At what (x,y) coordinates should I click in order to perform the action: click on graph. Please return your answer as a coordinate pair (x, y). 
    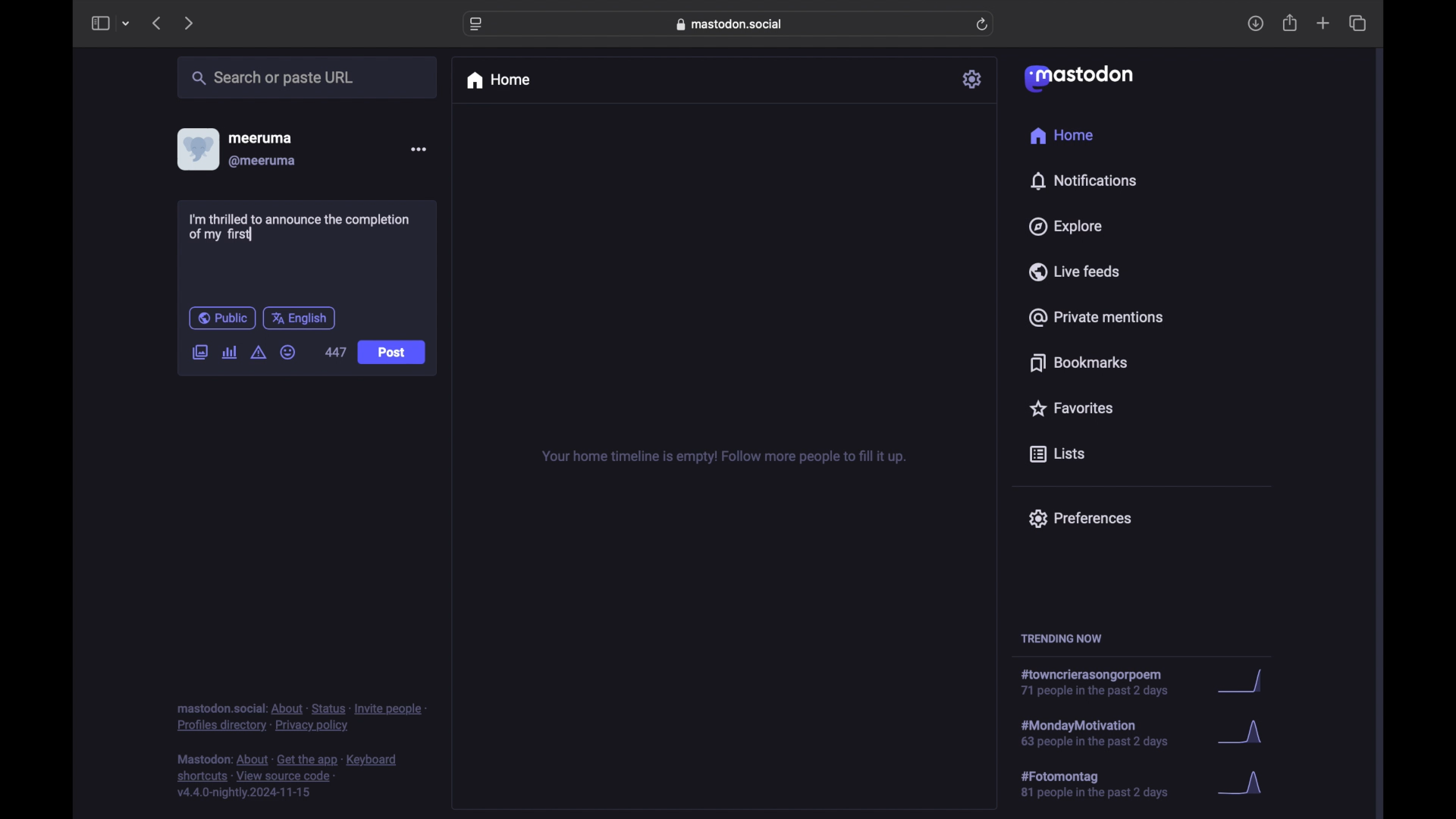
    Looking at the image, I should click on (1246, 682).